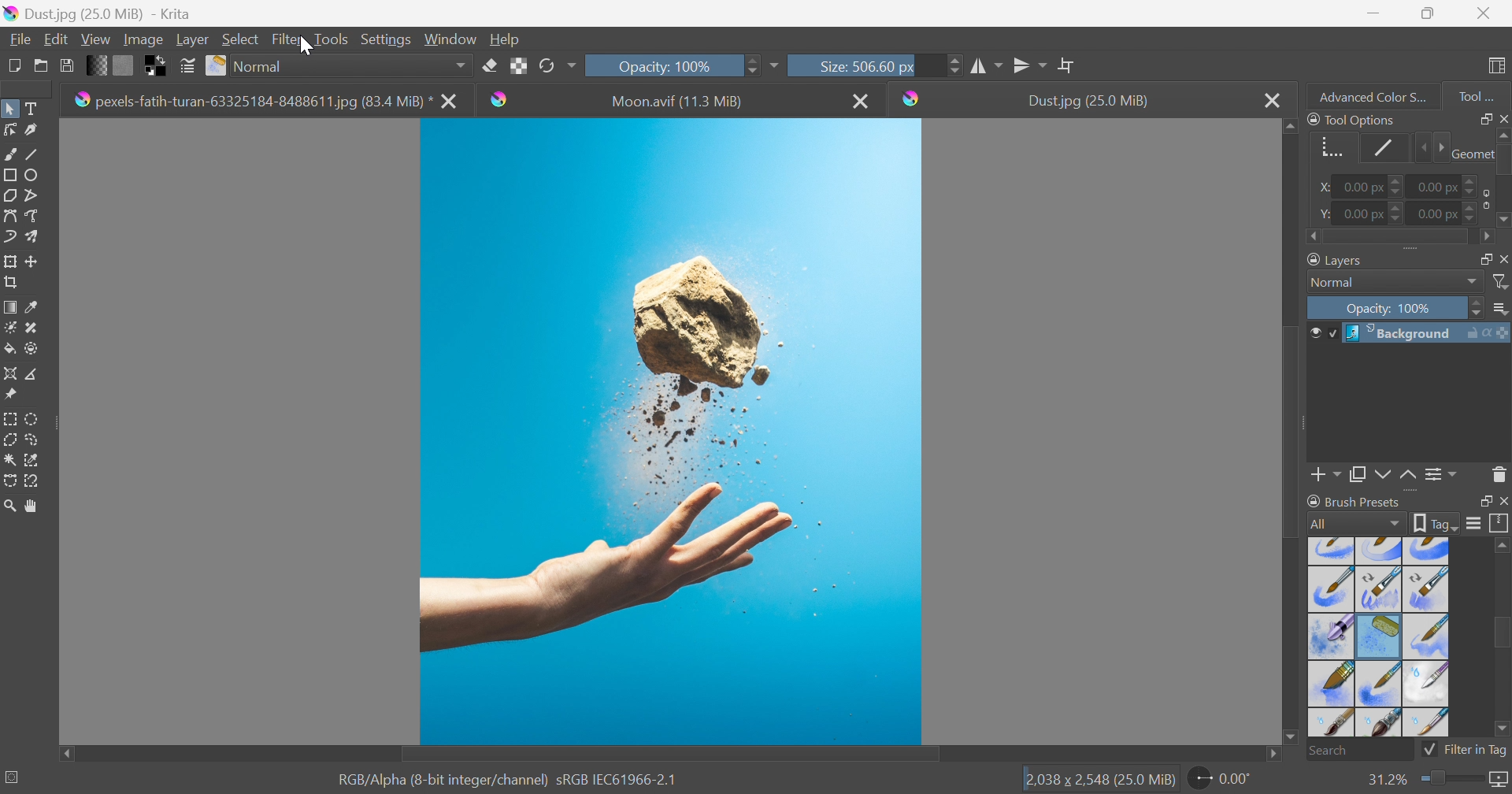 The image size is (1512, 794). Describe the element at coordinates (1376, 636) in the screenshot. I see `Types of brush` at that location.